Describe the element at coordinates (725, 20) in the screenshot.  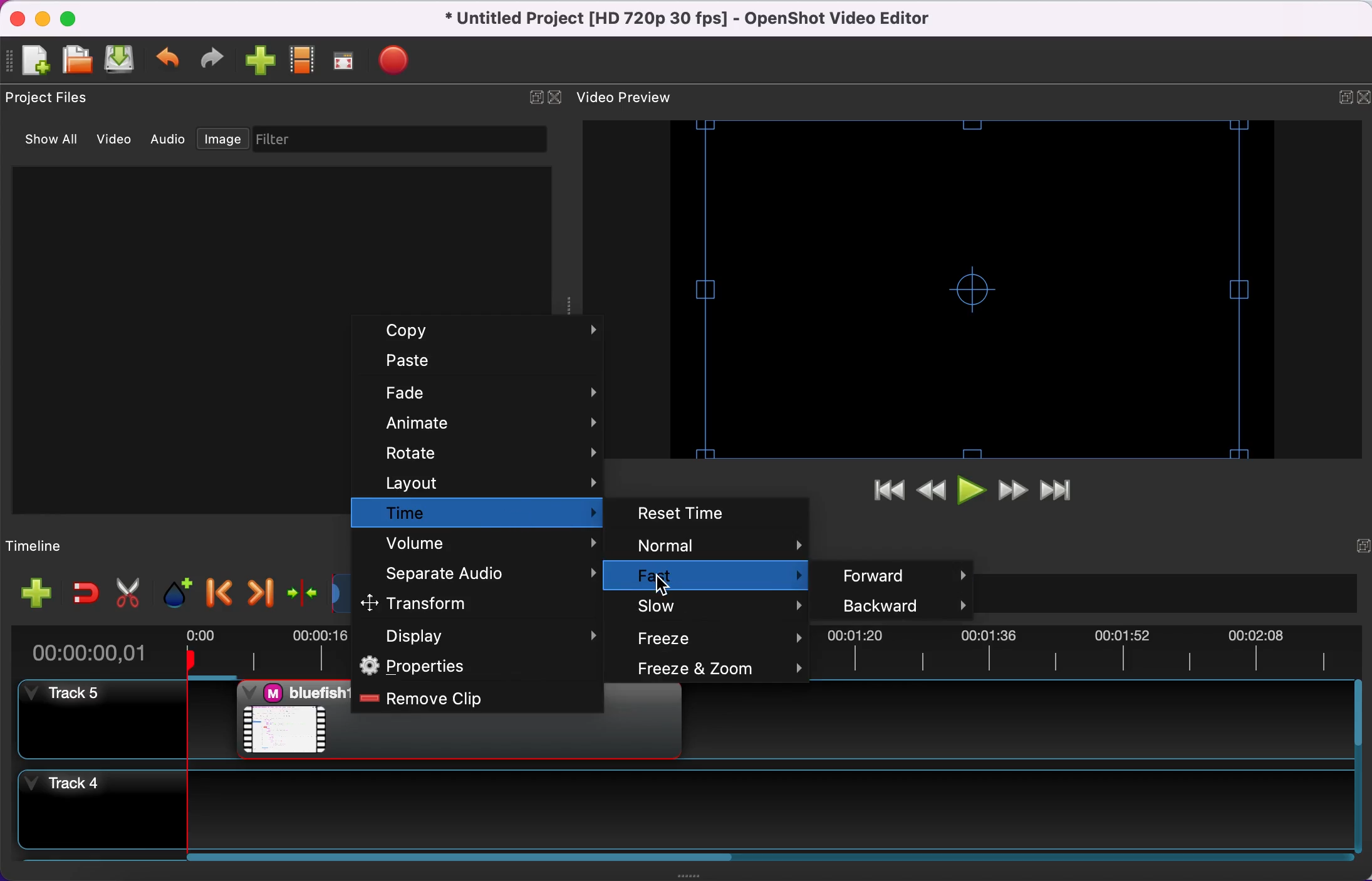
I see `title - • Untitled Project [HD 720p 30 fps] - OpenShot Video Editor` at that location.